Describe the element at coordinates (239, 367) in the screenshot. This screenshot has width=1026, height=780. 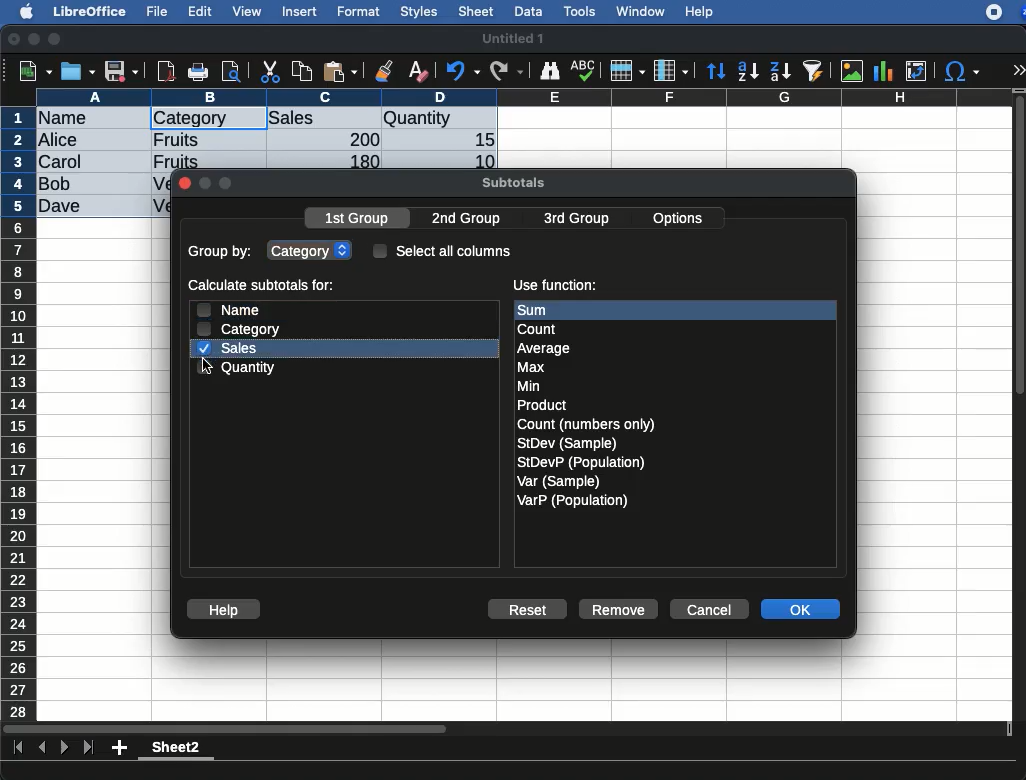
I see `quantity ` at that location.